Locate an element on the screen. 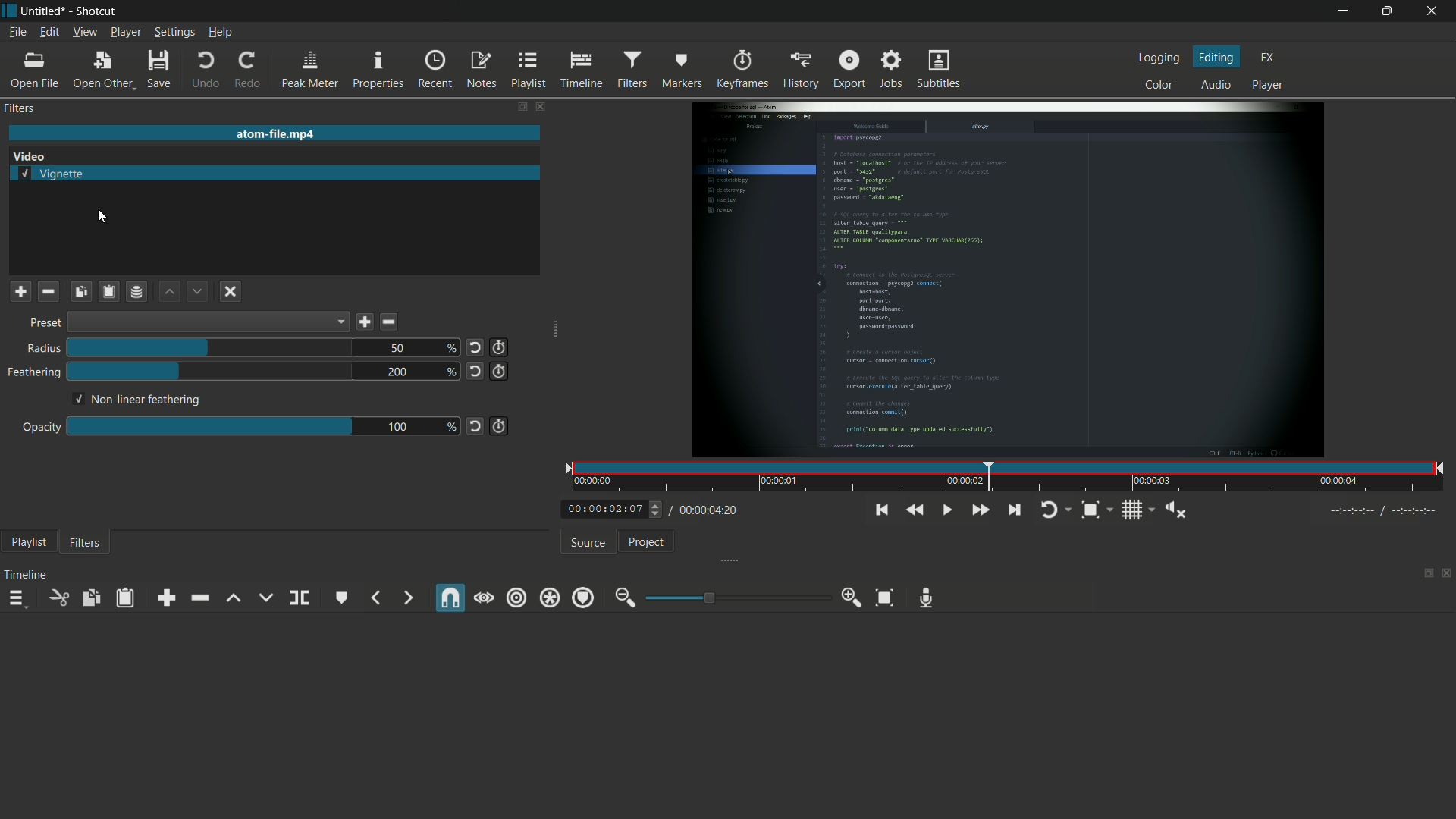 The width and height of the screenshot is (1456, 819). recent is located at coordinates (433, 70).